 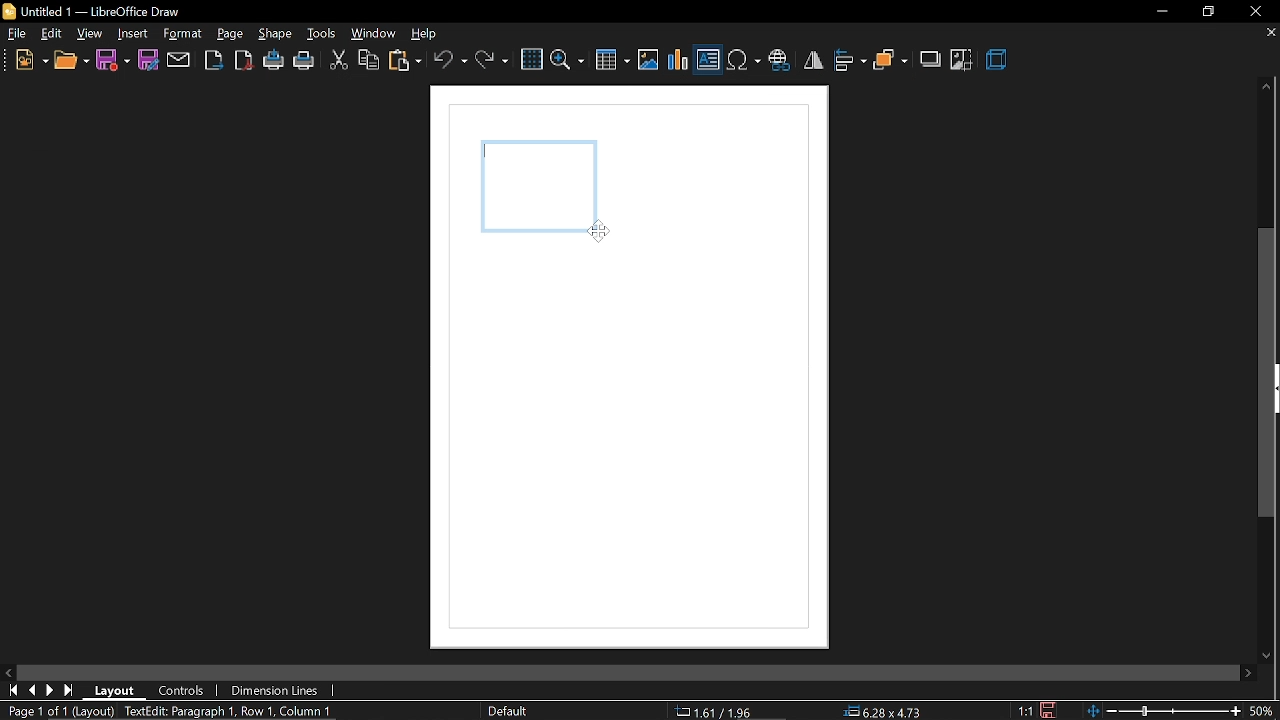 What do you see at coordinates (53, 691) in the screenshot?
I see `go to last page` at bounding box center [53, 691].